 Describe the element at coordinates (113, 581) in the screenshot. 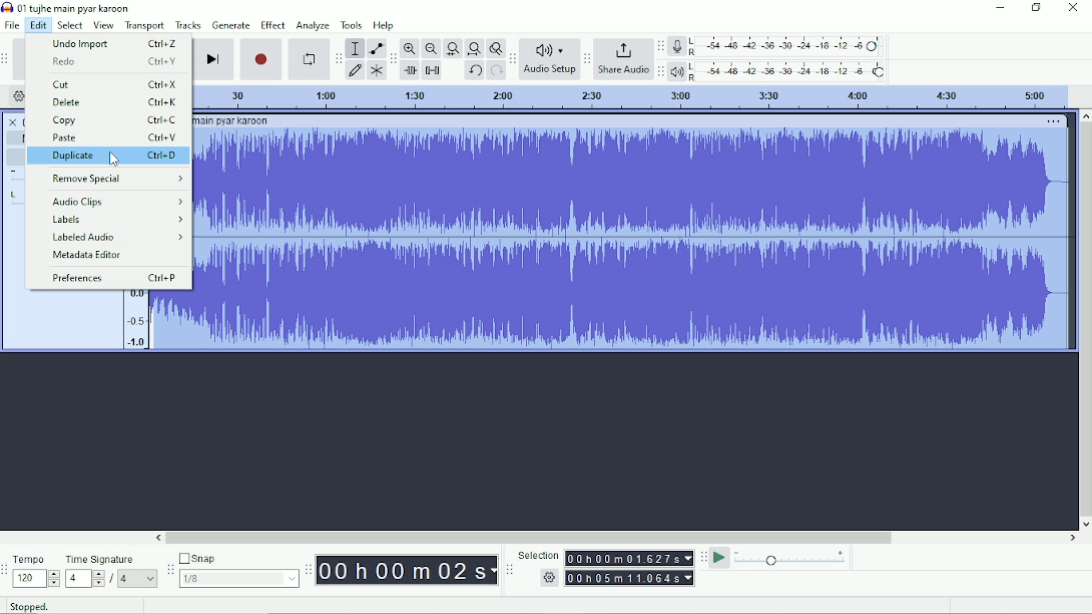

I see `/` at that location.